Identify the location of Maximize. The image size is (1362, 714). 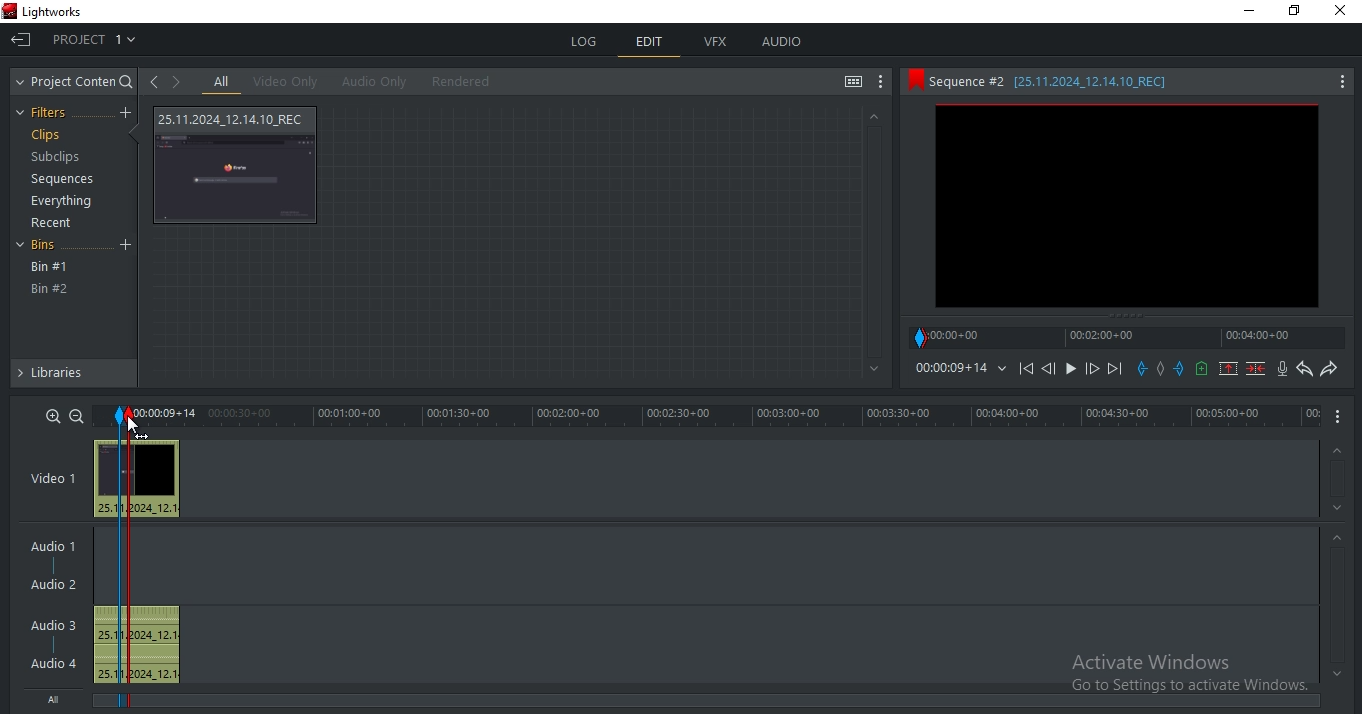
(1299, 14).